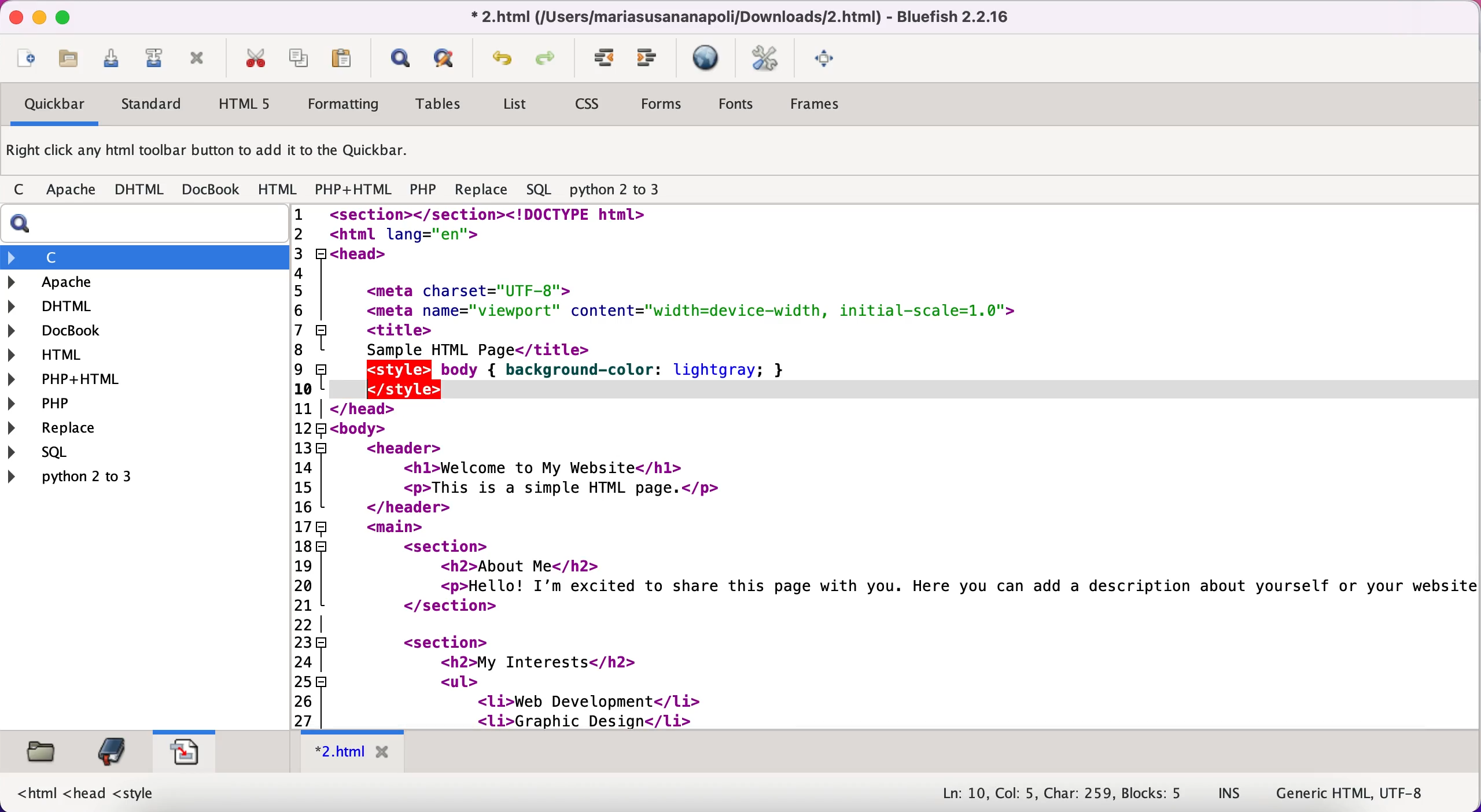 The image size is (1481, 812). Describe the element at coordinates (447, 58) in the screenshot. I see `advanced find and replace` at that location.